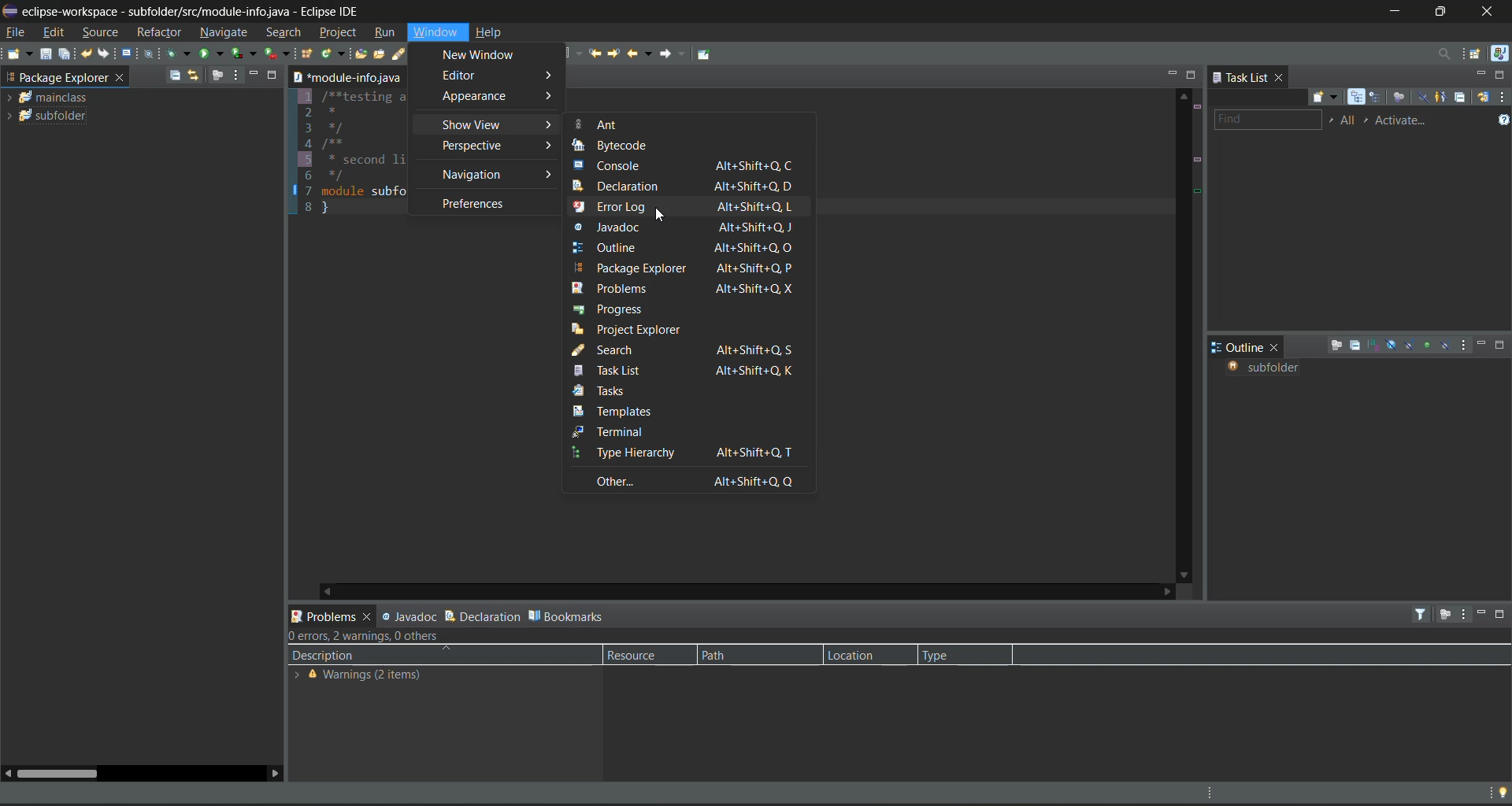 Image resolution: width=1512 pixels, height=806 pixels. What do you see at coordinates (687, 453) in the screenshot?
I see `type hierarchy` at bounding box center [687, 453].